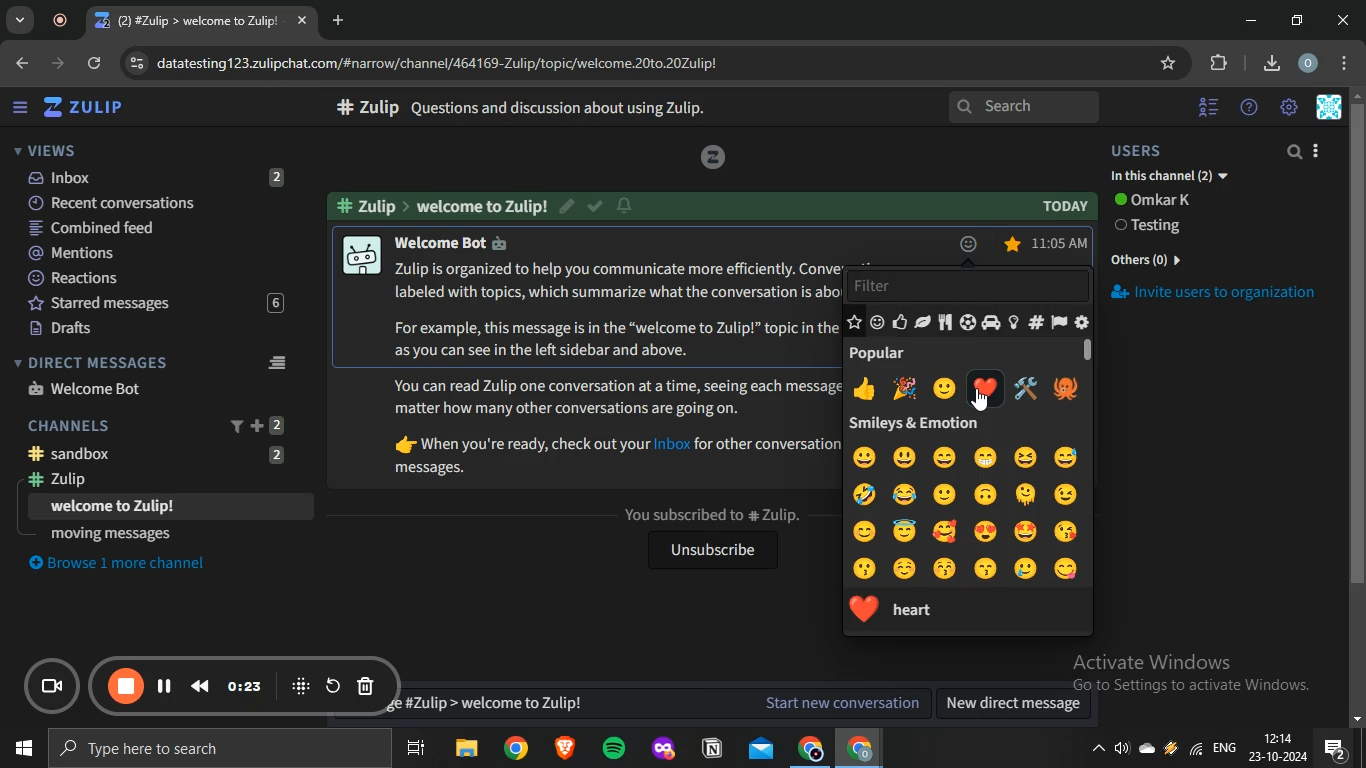  Describe the element at coordinates (968, 322) in the screenshot. I see `activities` at that location.